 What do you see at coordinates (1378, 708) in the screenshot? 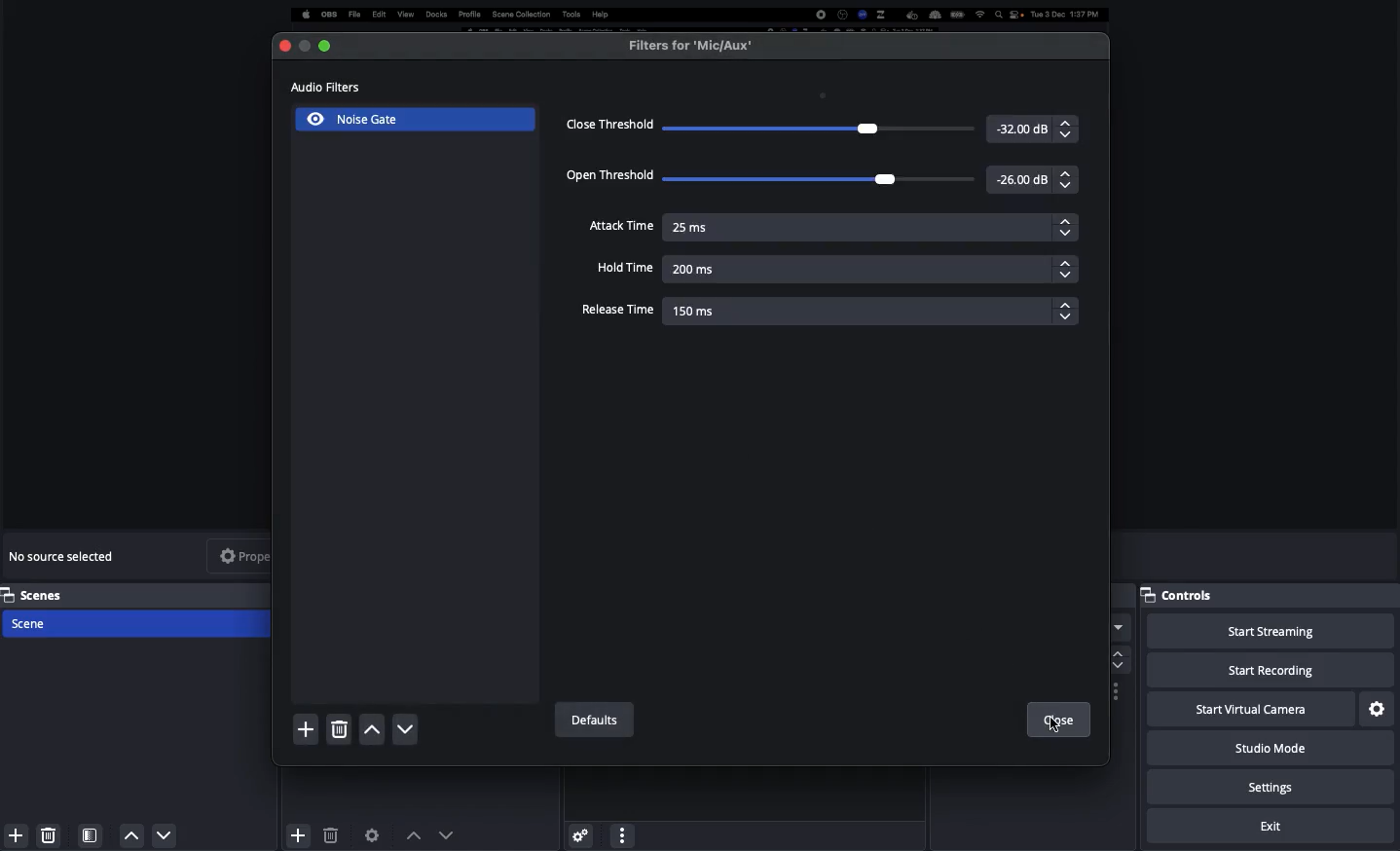
I see `Settings` at bounding box center [1378, 708].